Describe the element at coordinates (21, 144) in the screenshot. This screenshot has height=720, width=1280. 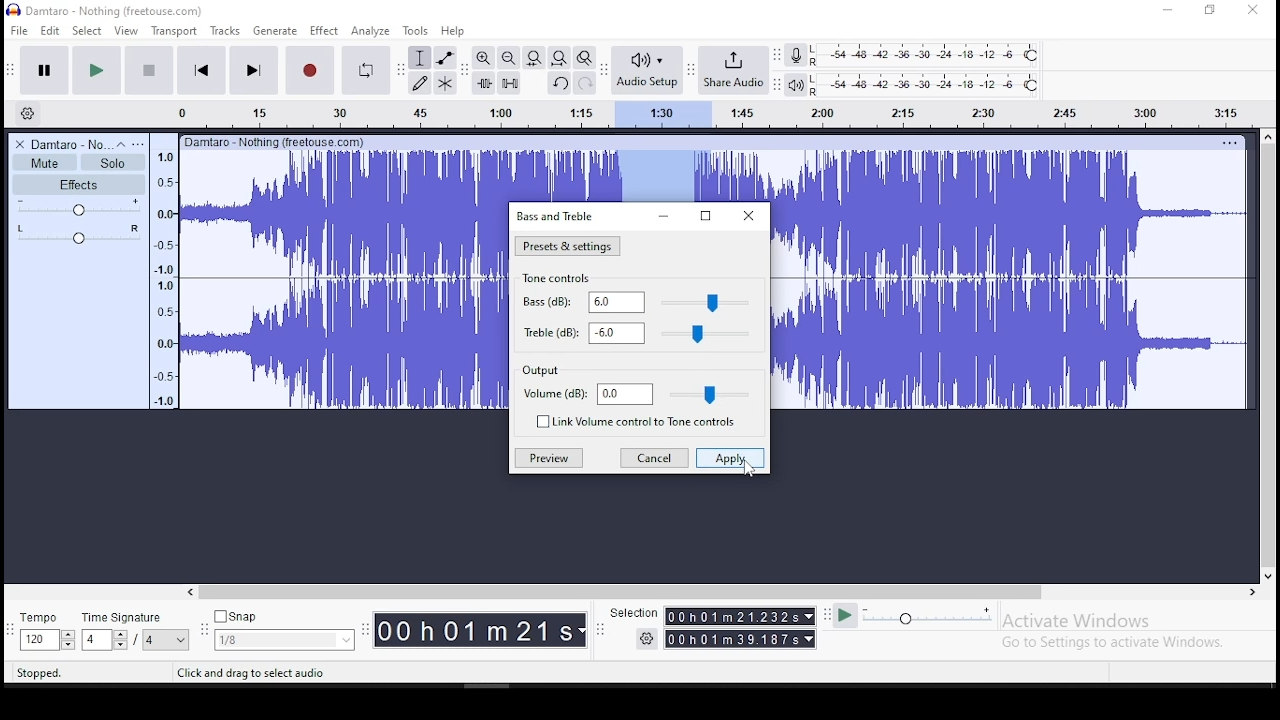
I see `delete track` at that location.